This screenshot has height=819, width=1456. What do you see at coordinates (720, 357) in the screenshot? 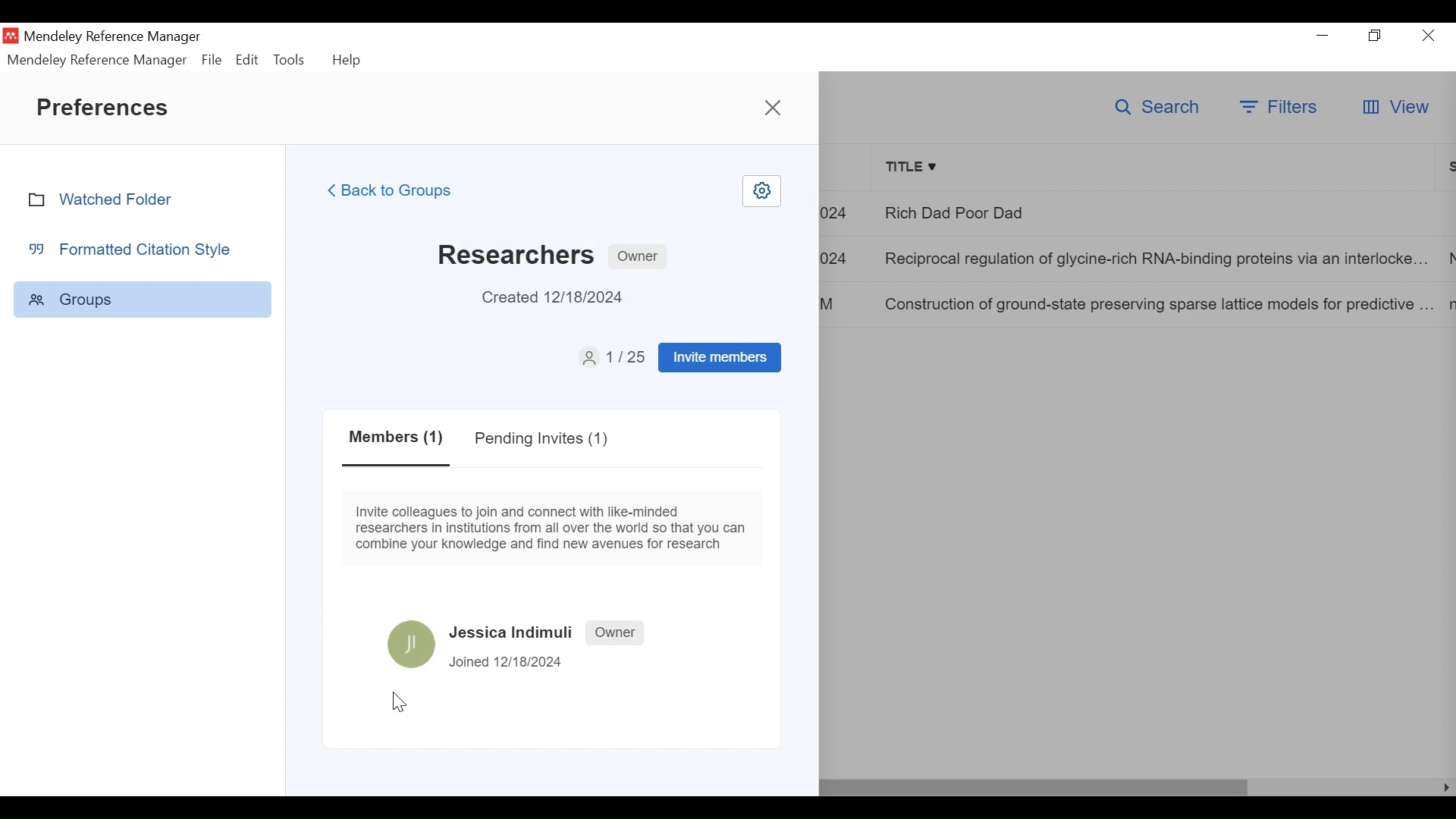
I see `Invite members` at bounding box center [720, 357].